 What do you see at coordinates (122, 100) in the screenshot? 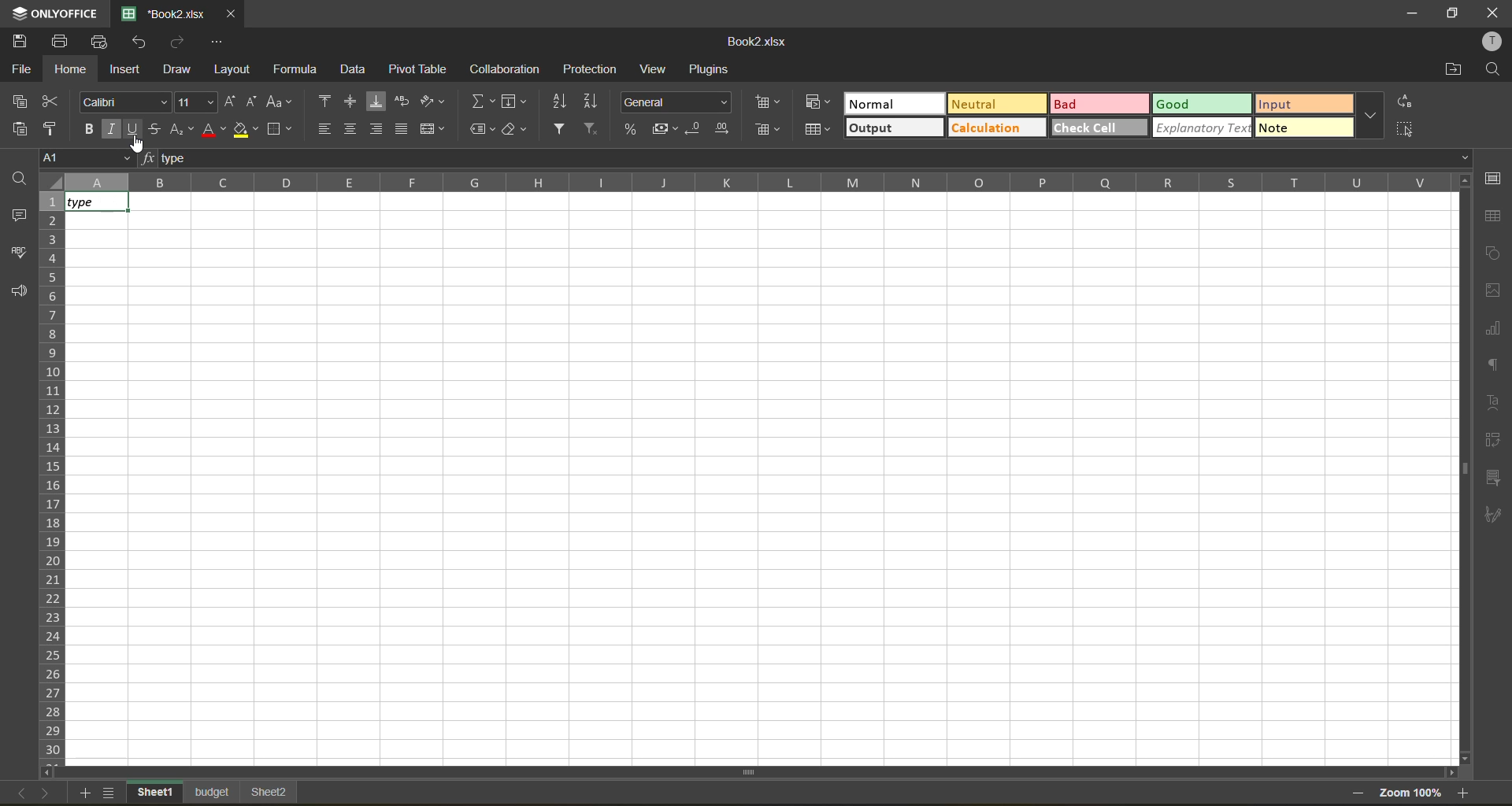
I see `font style` at bounding box center [122, 100].